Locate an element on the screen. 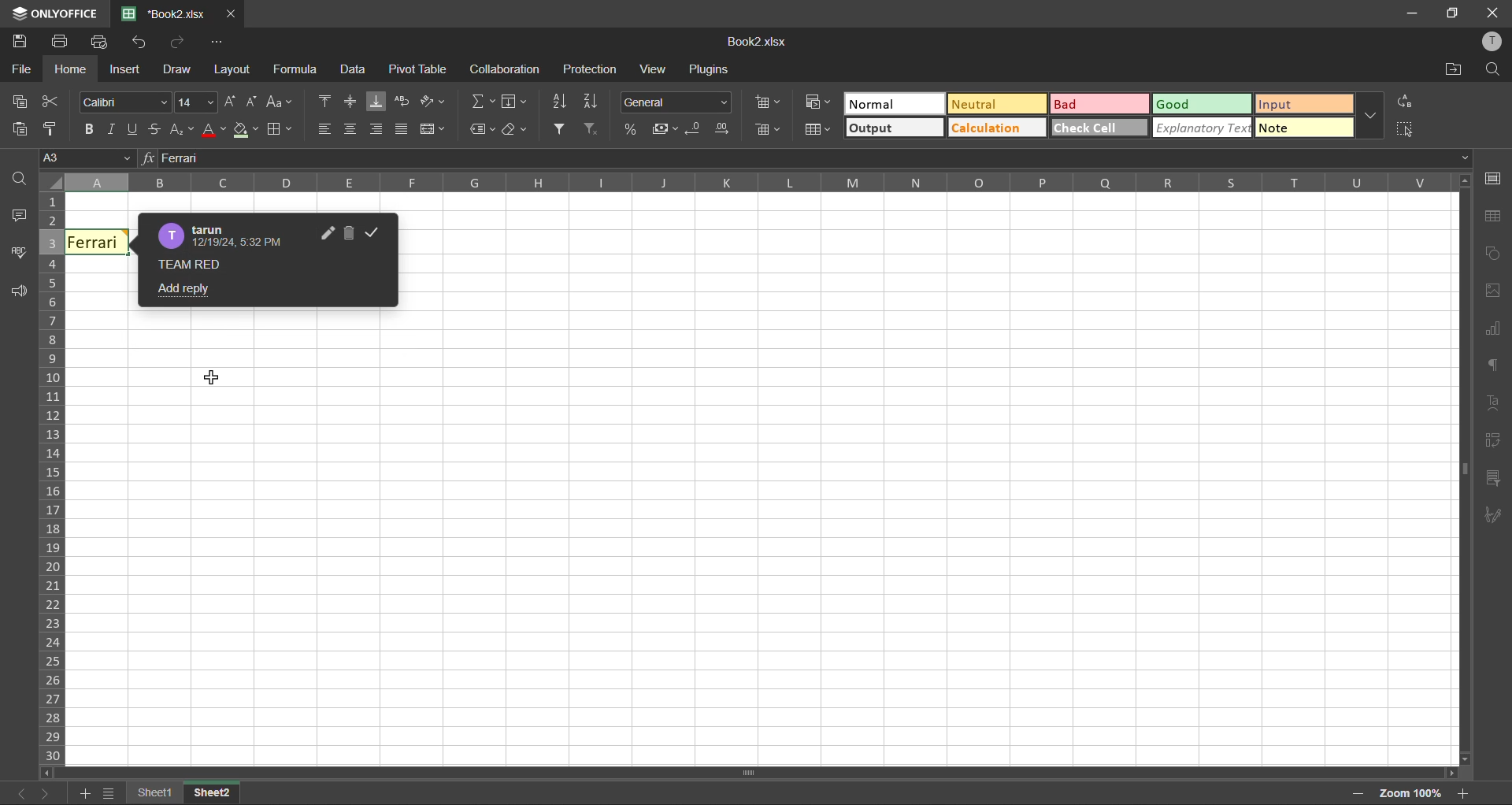 This screenshot has width=1512, height=805. good is located at coordinates (1180, 105).